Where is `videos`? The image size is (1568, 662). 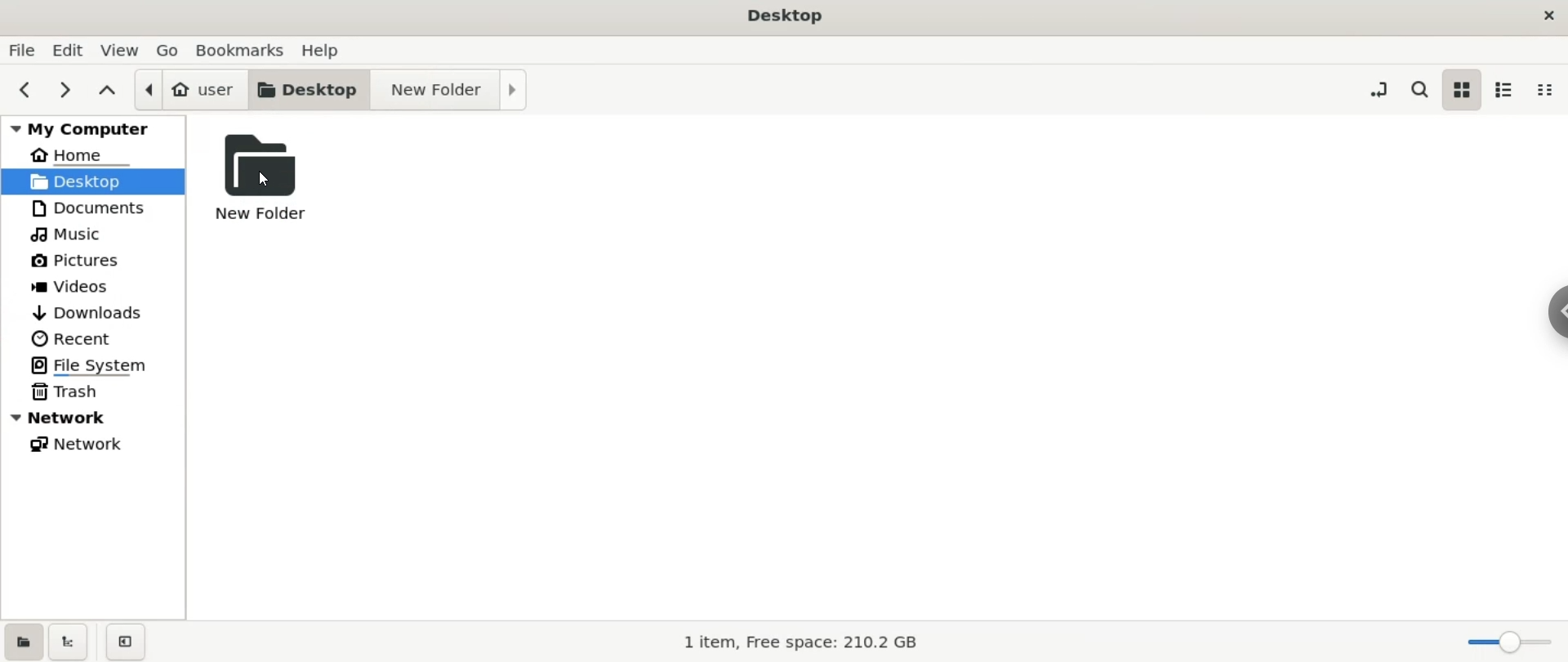
videos is located at coordinates (94, 284).